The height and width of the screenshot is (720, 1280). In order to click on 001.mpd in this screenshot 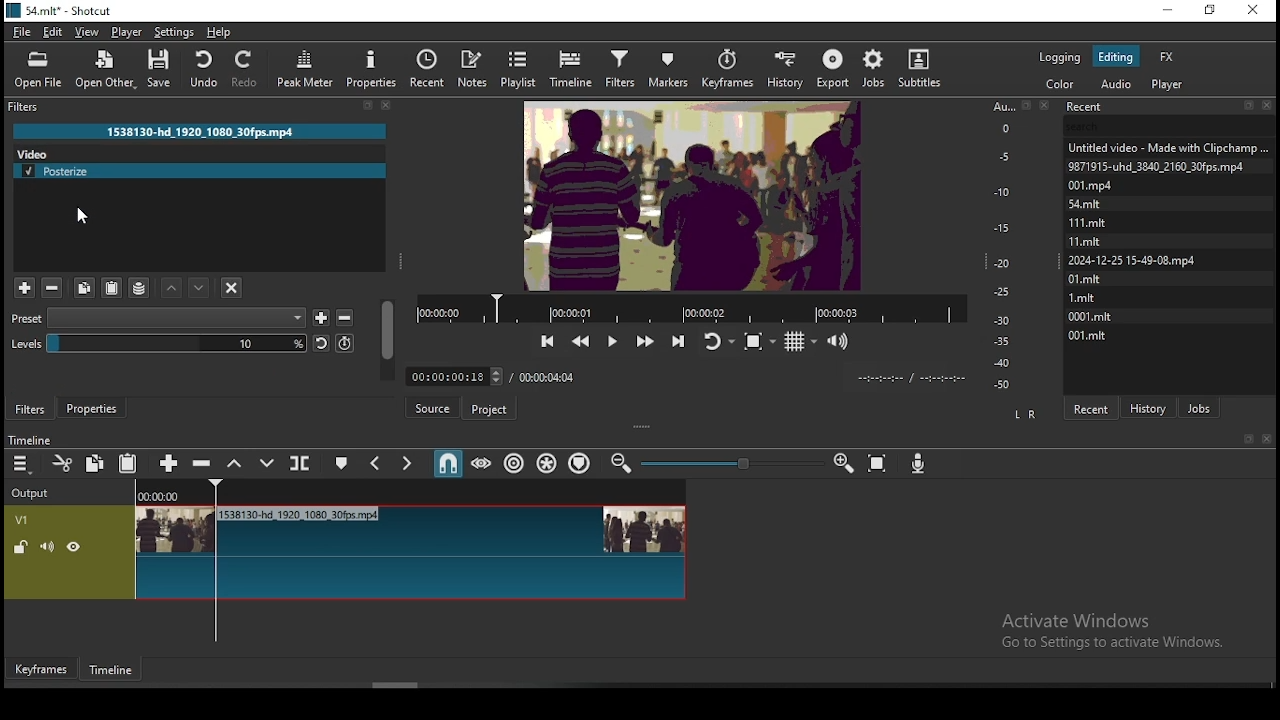, I will do `click(1093, 185)`.